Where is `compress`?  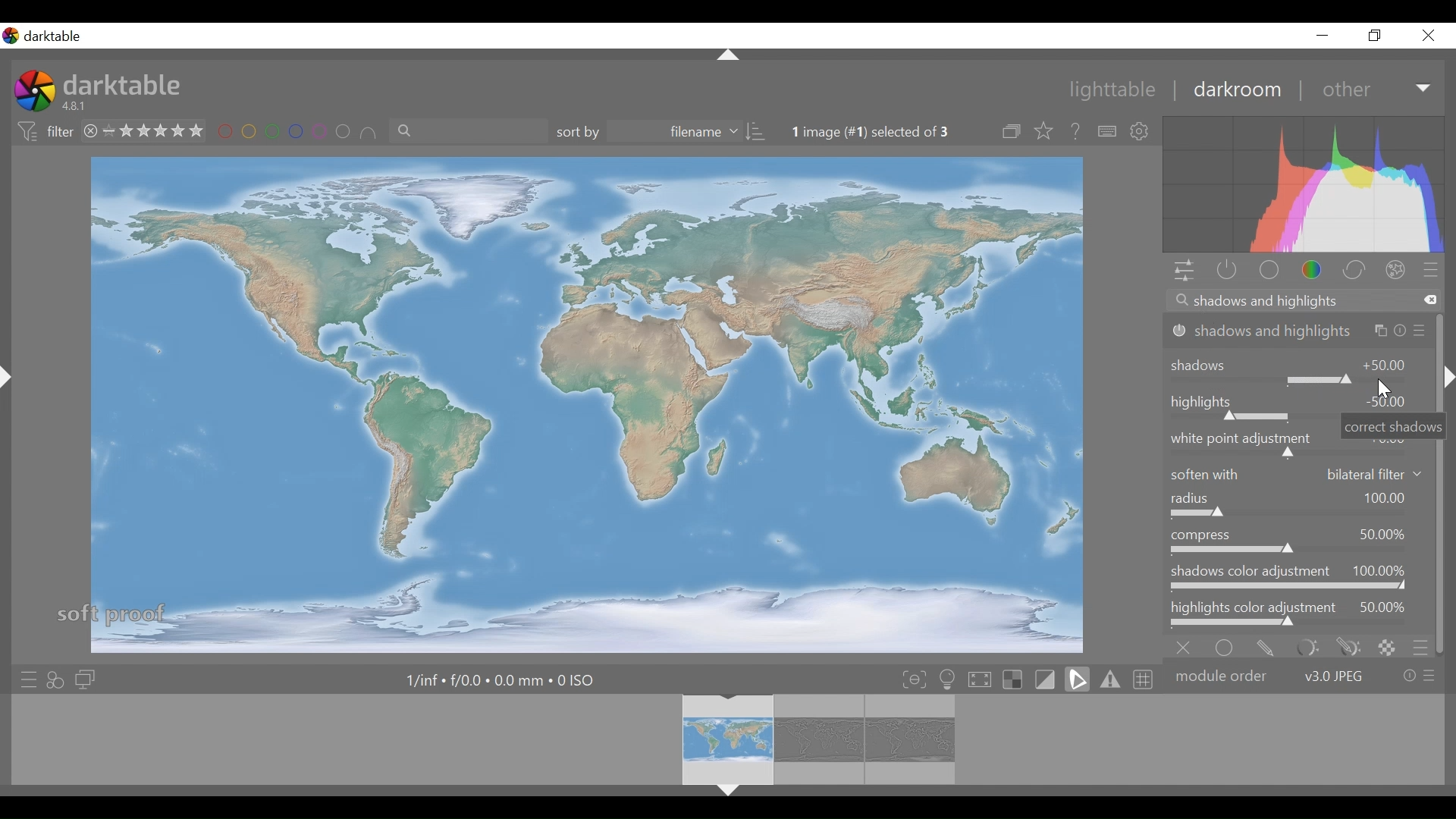 compress is located at coordinates (1298, 541).